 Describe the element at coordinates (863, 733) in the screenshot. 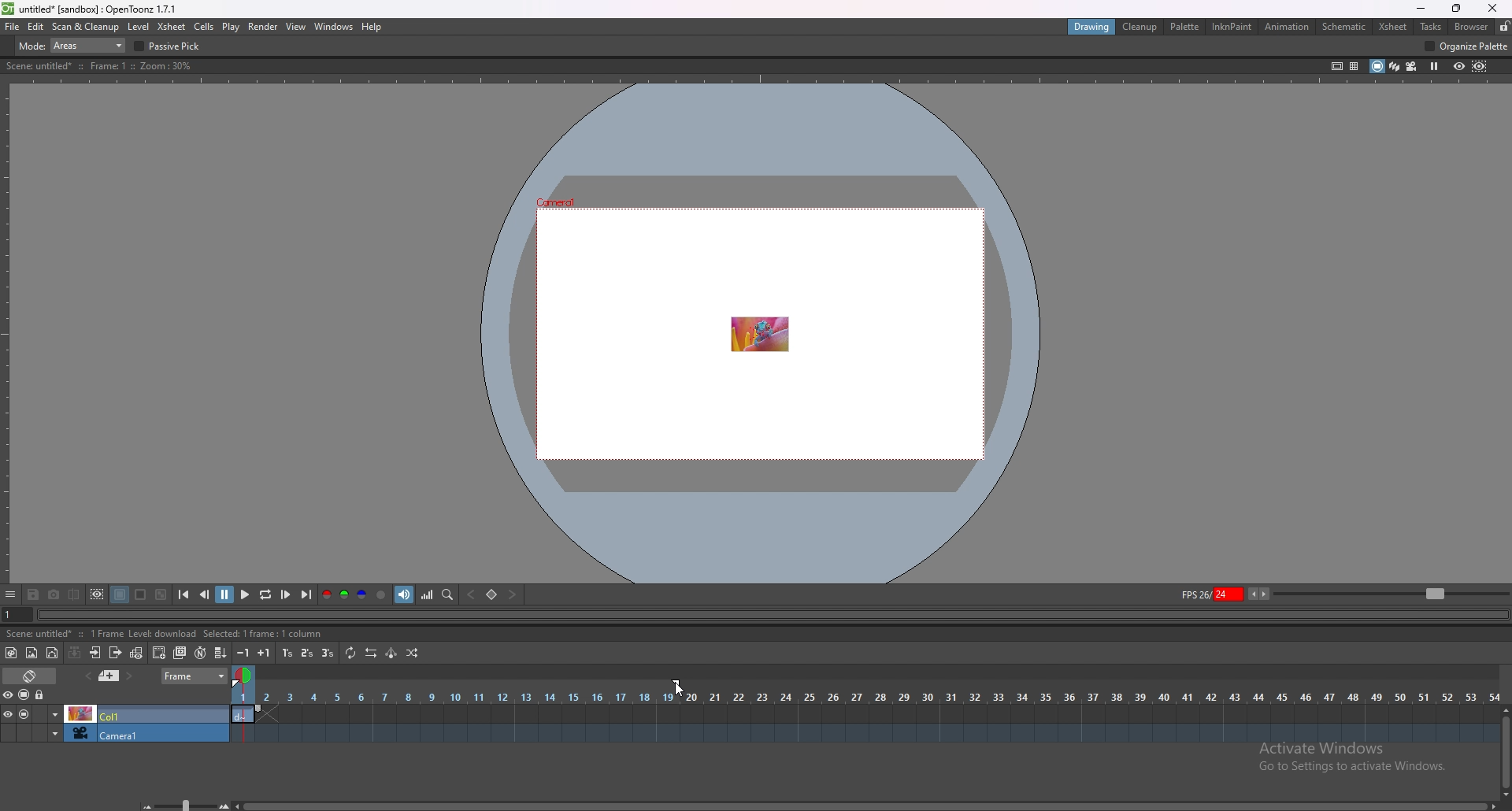

I see `timeline` at that location.